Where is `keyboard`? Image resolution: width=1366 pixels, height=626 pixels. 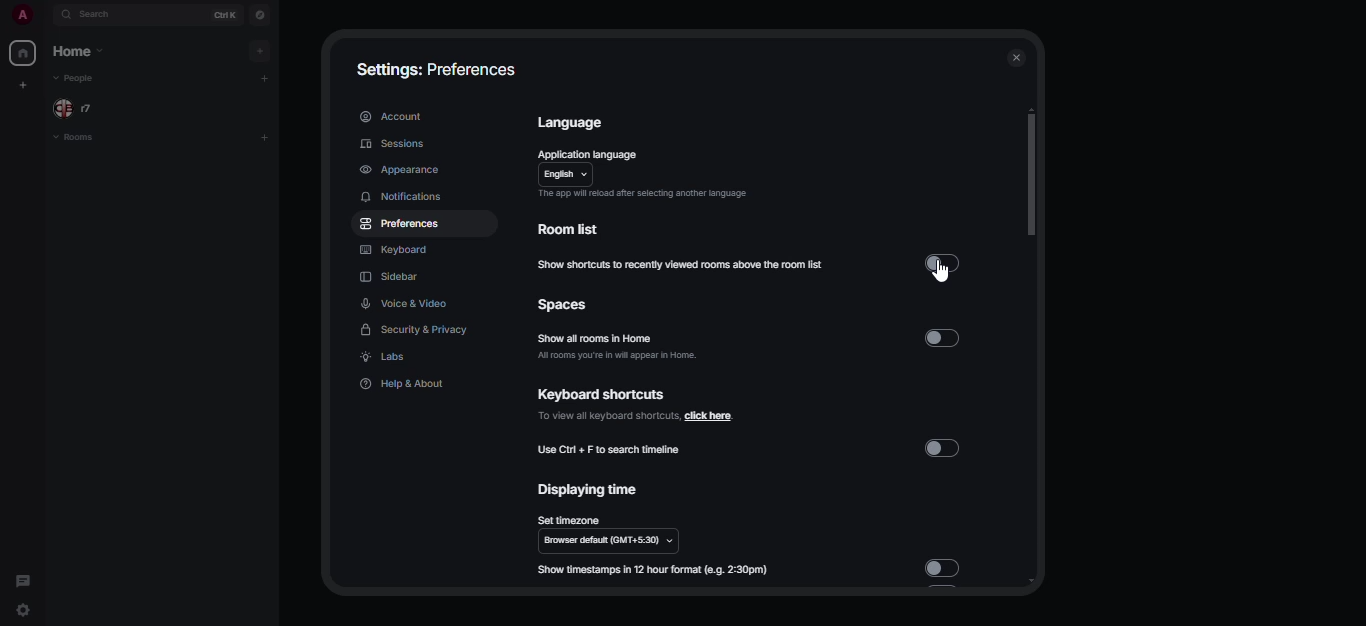
keyboard is located at coordinates (391, 248).